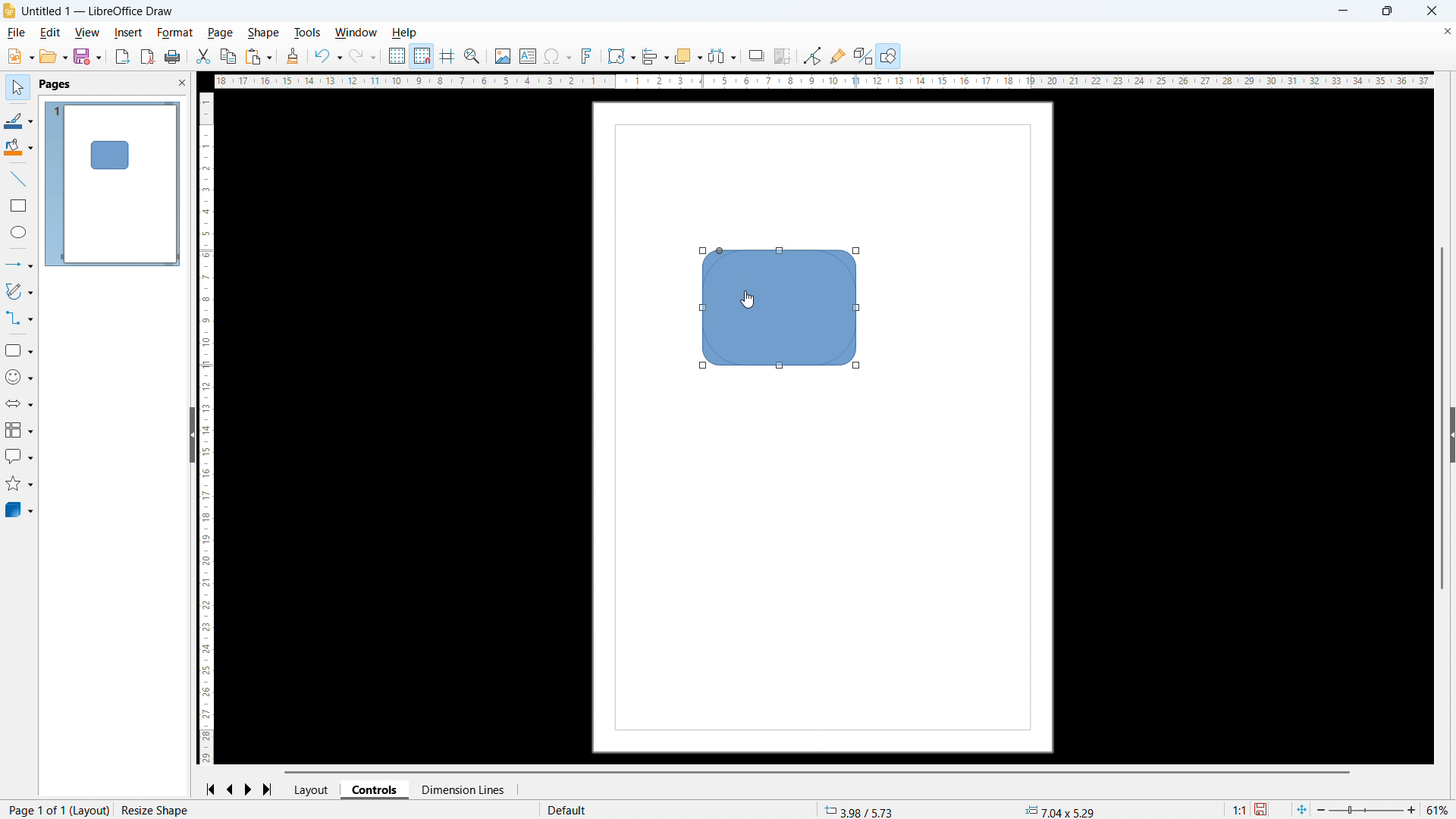 The height and width of the screenshot is (819, 1456). What do you see at coordinates (313, 789) in the screenshot?
I see `Layout ` at bounding box center [313, 789].